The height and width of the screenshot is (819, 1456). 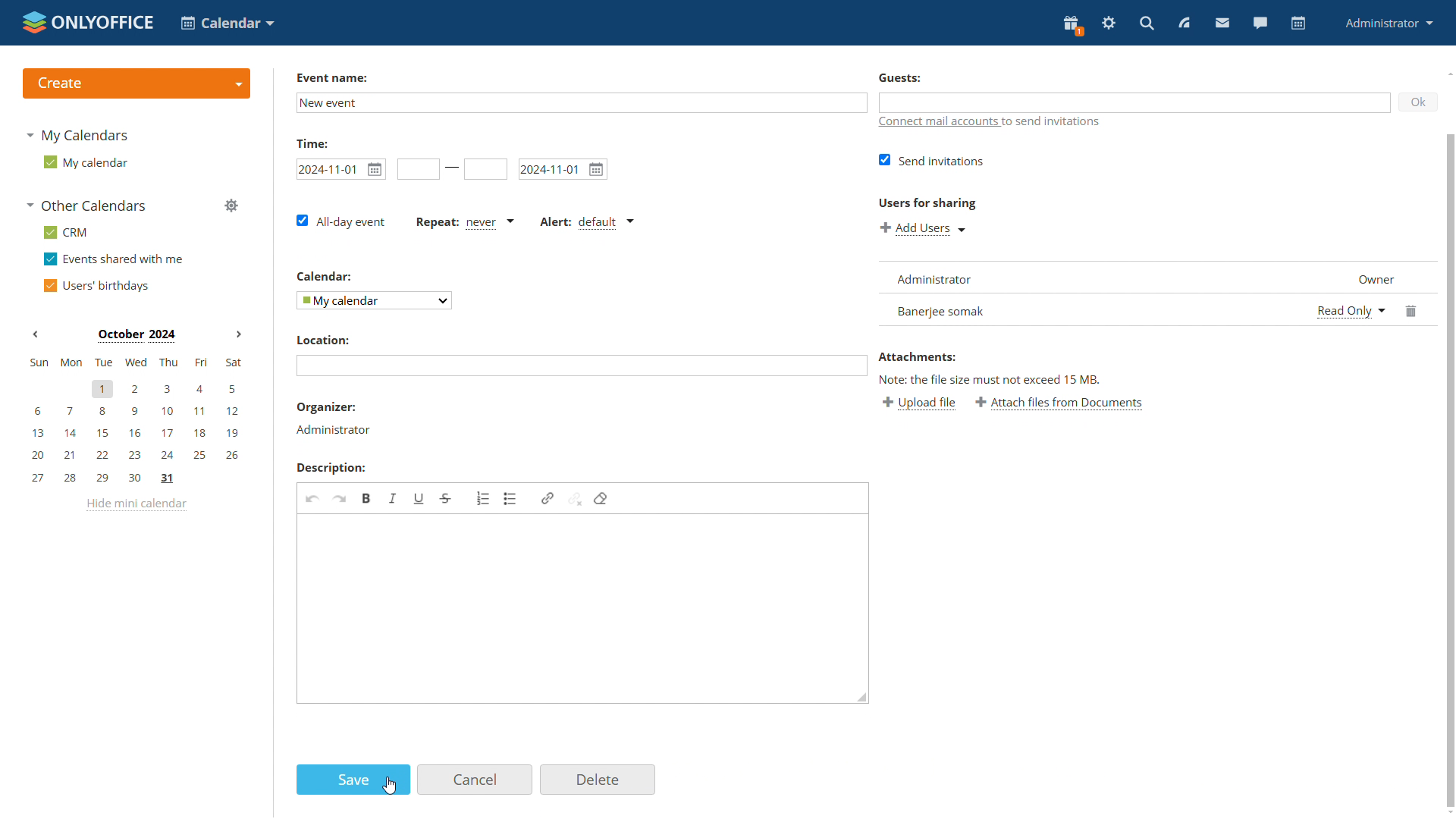 What do you see at coordinates (136, 83) in the screenshot?
I see `create` at bounding box center [136, 83].